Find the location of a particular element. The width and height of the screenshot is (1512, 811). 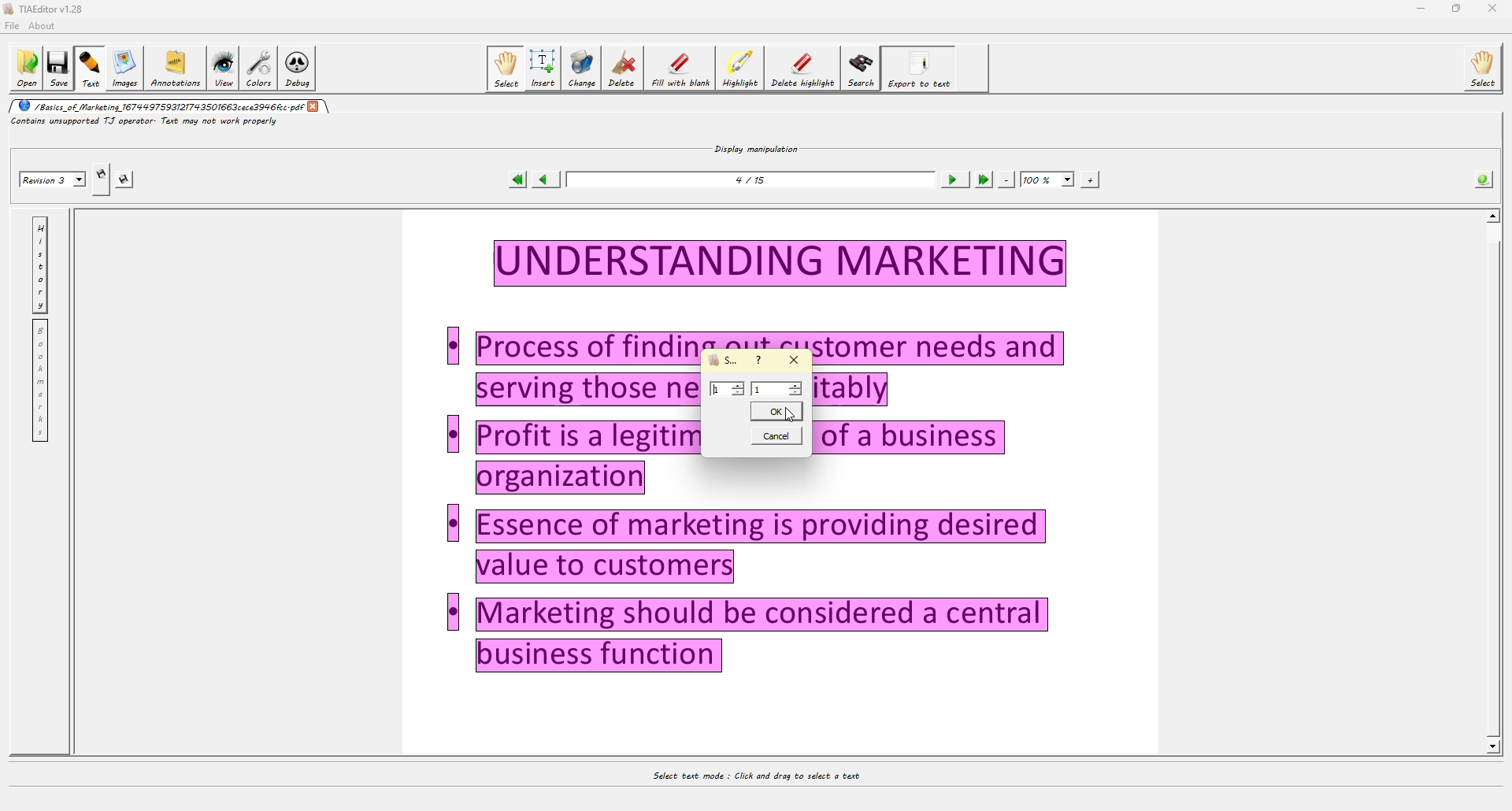

 is located at coordinates (765, 545).